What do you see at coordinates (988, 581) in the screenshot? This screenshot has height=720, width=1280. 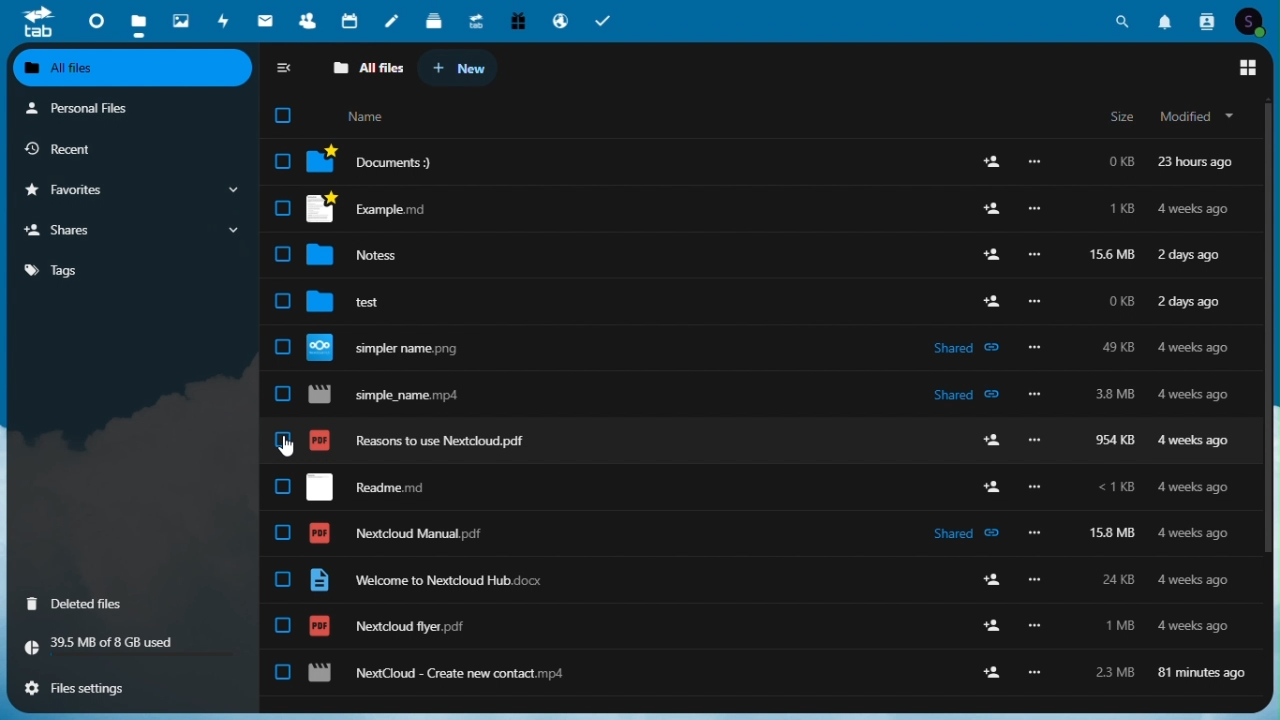 I see ` add user` at bounding box center [988, 581].